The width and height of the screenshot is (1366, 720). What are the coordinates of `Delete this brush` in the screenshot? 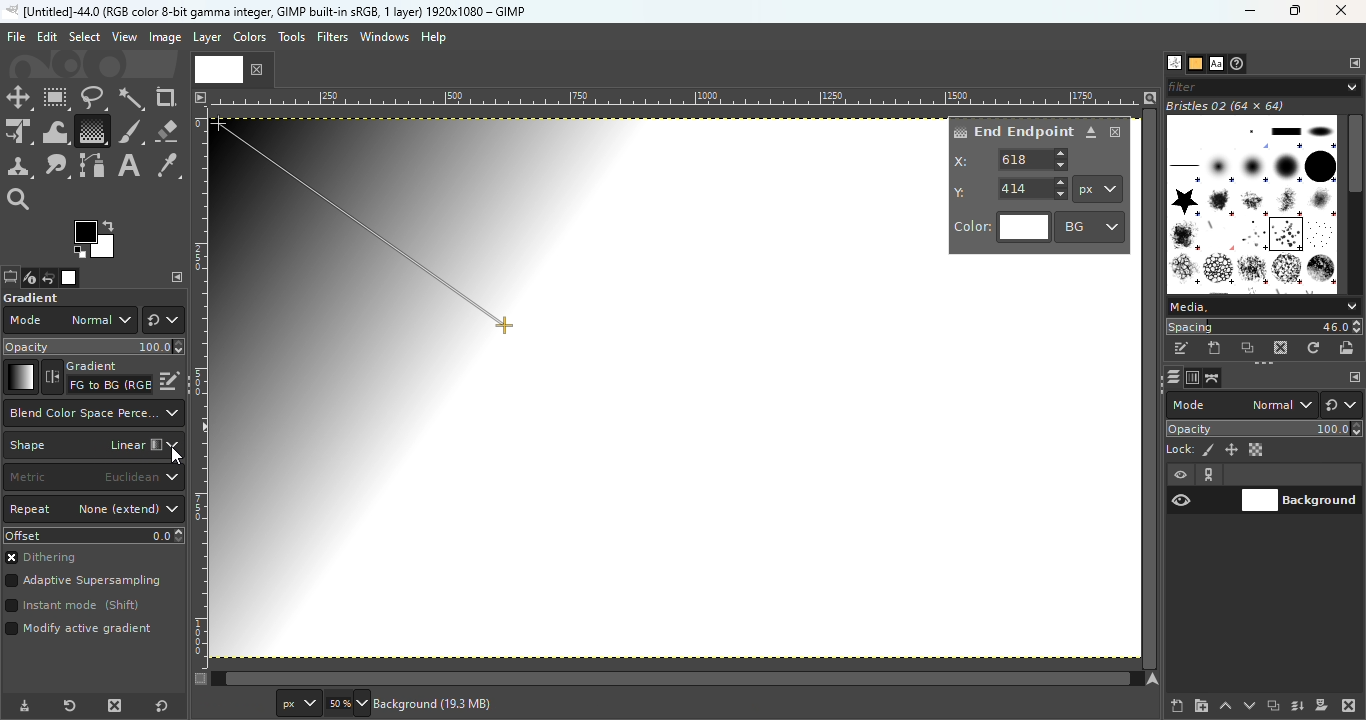 It's located at (1282, 347).